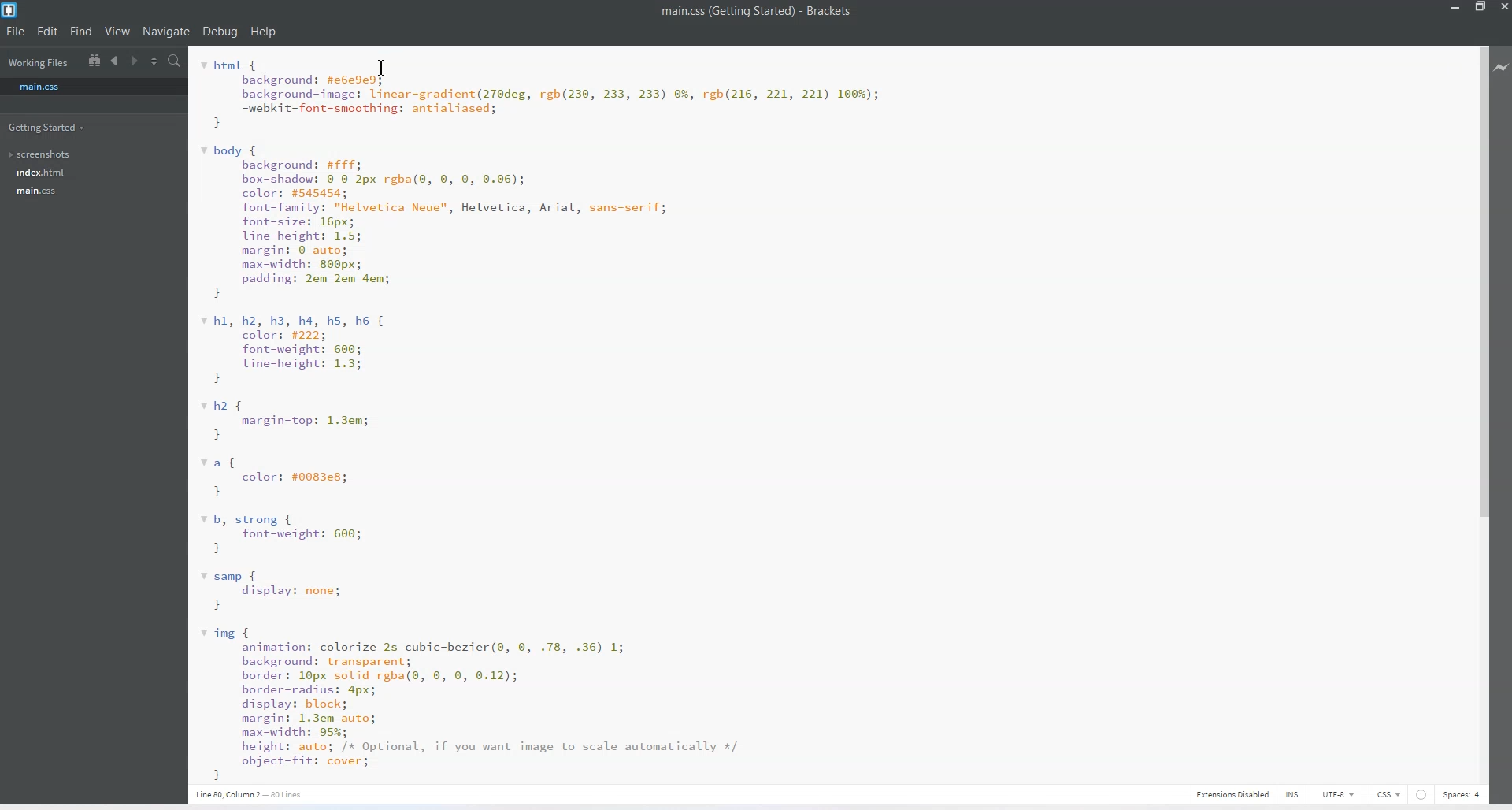  What do you see at coordinates (39, 191) in the screenshot?
I see `main.css` at bounding box center [39, 191].